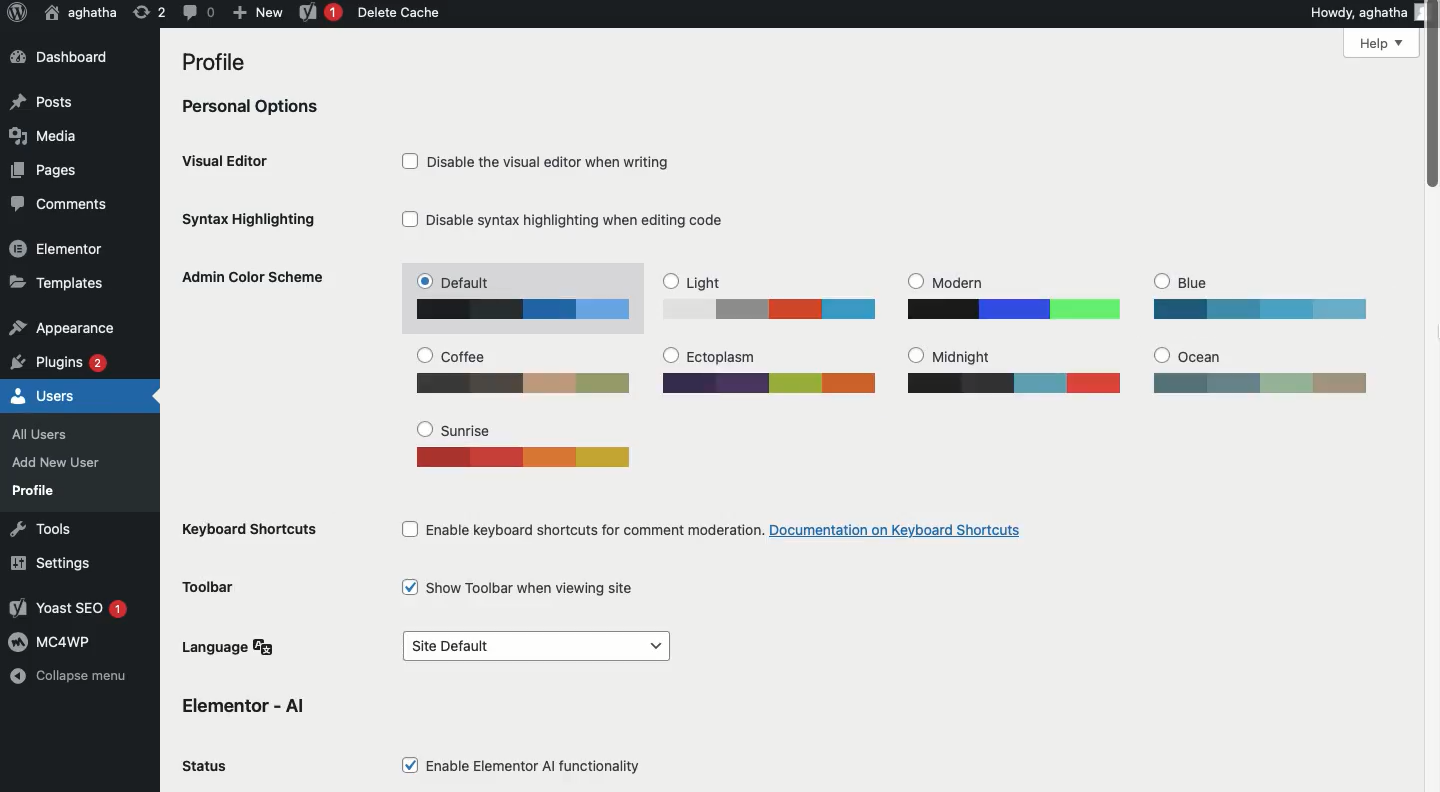  Describe the element at coordinates (245, 110) in the screenshot. I see `Personal options` at that location.